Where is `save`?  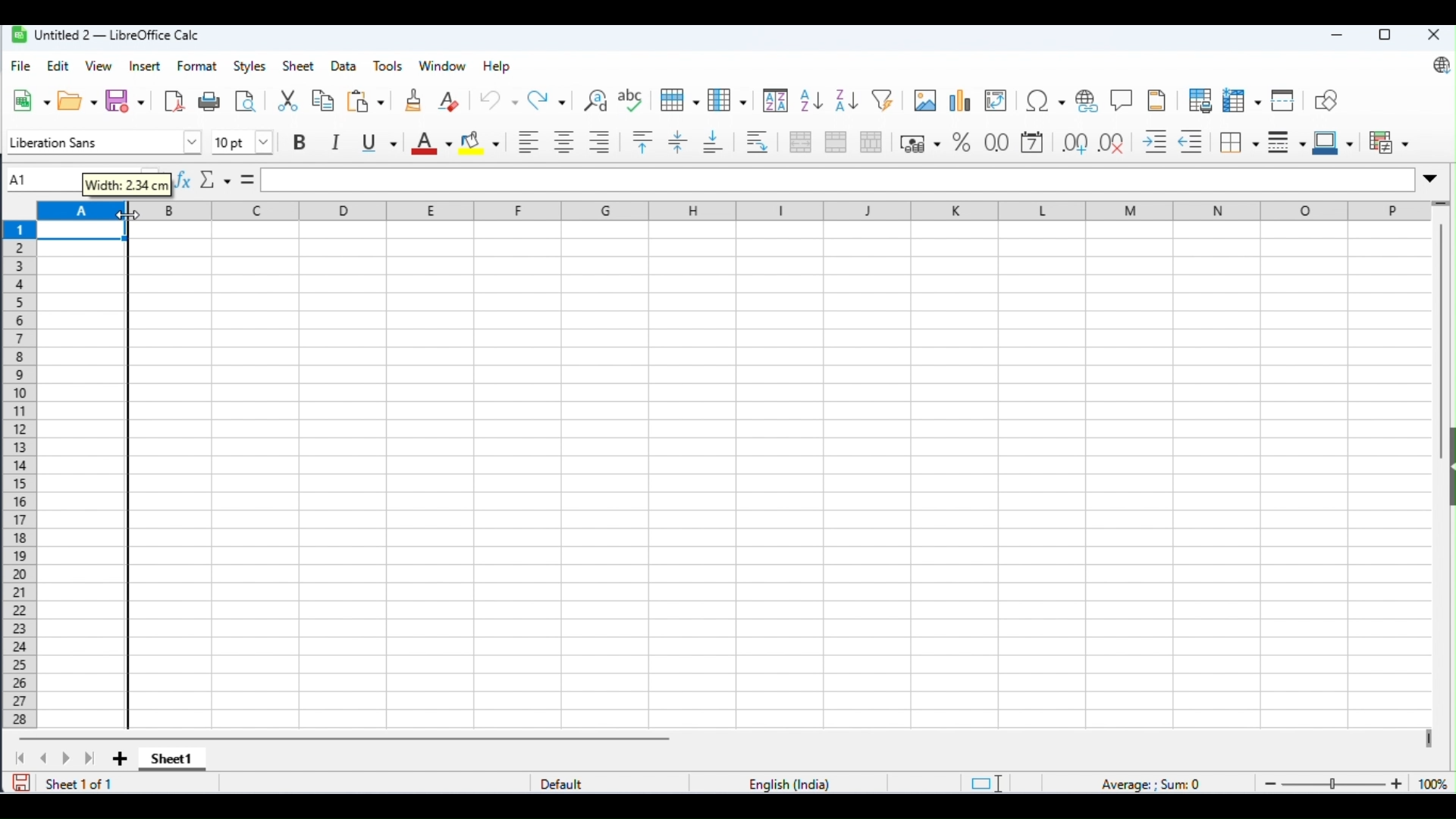
save is located at coordinates (126, 99).